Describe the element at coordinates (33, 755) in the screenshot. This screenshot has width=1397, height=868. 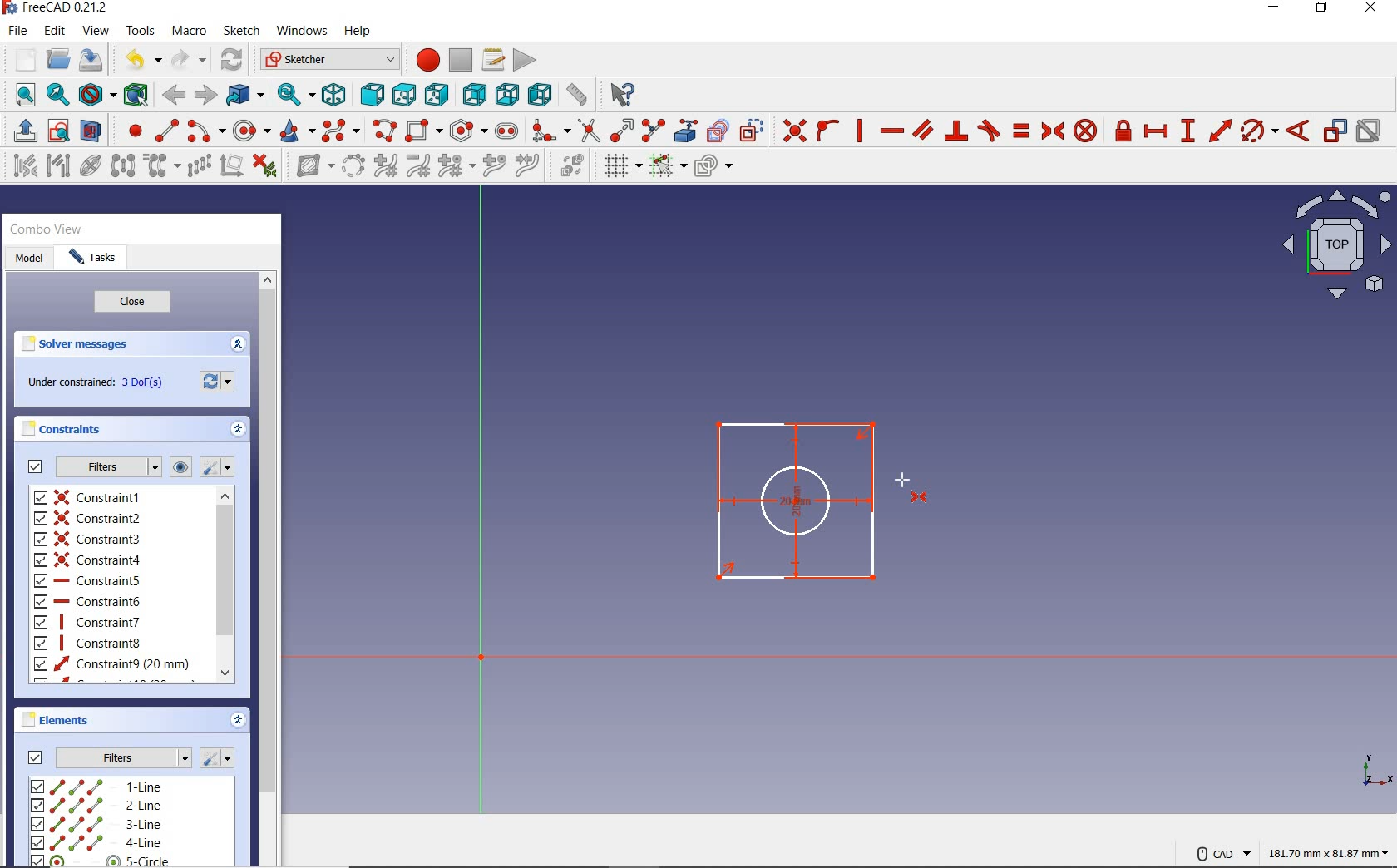
I see `Filters checkbox` at that location.